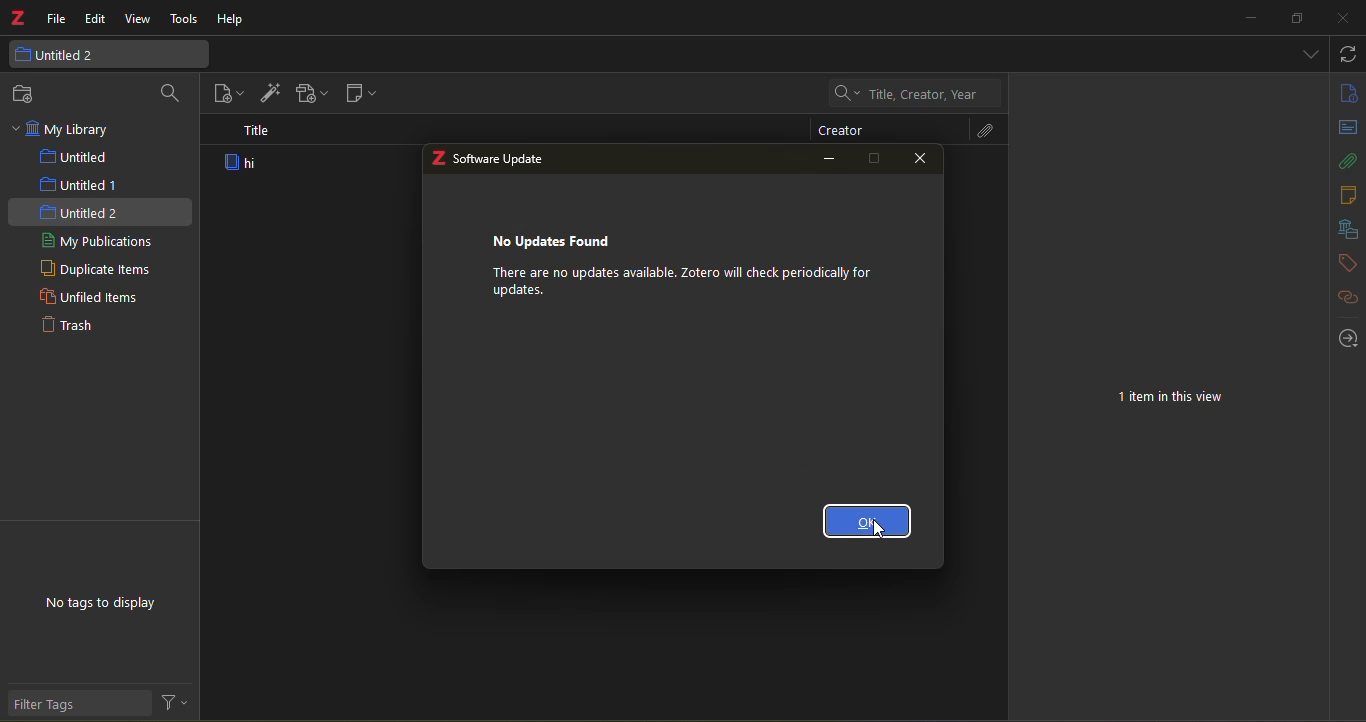 Image resolution: width=1366 pixels, height=722 pixels. Describe the element at coordinates (1348, 338) in the screenshot. I see `locate` at that location.